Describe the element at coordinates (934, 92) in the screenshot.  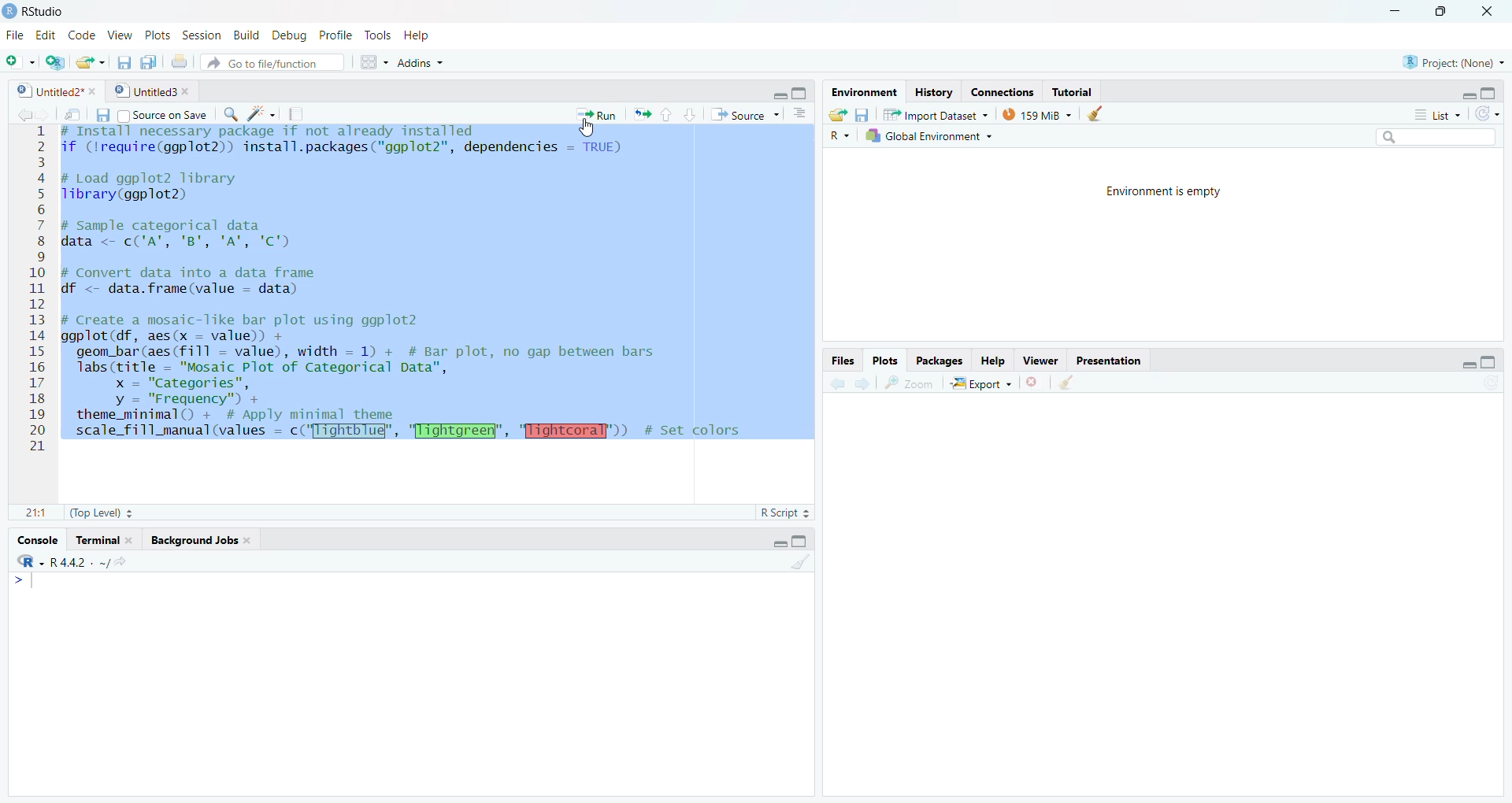
I see `History` at that location.